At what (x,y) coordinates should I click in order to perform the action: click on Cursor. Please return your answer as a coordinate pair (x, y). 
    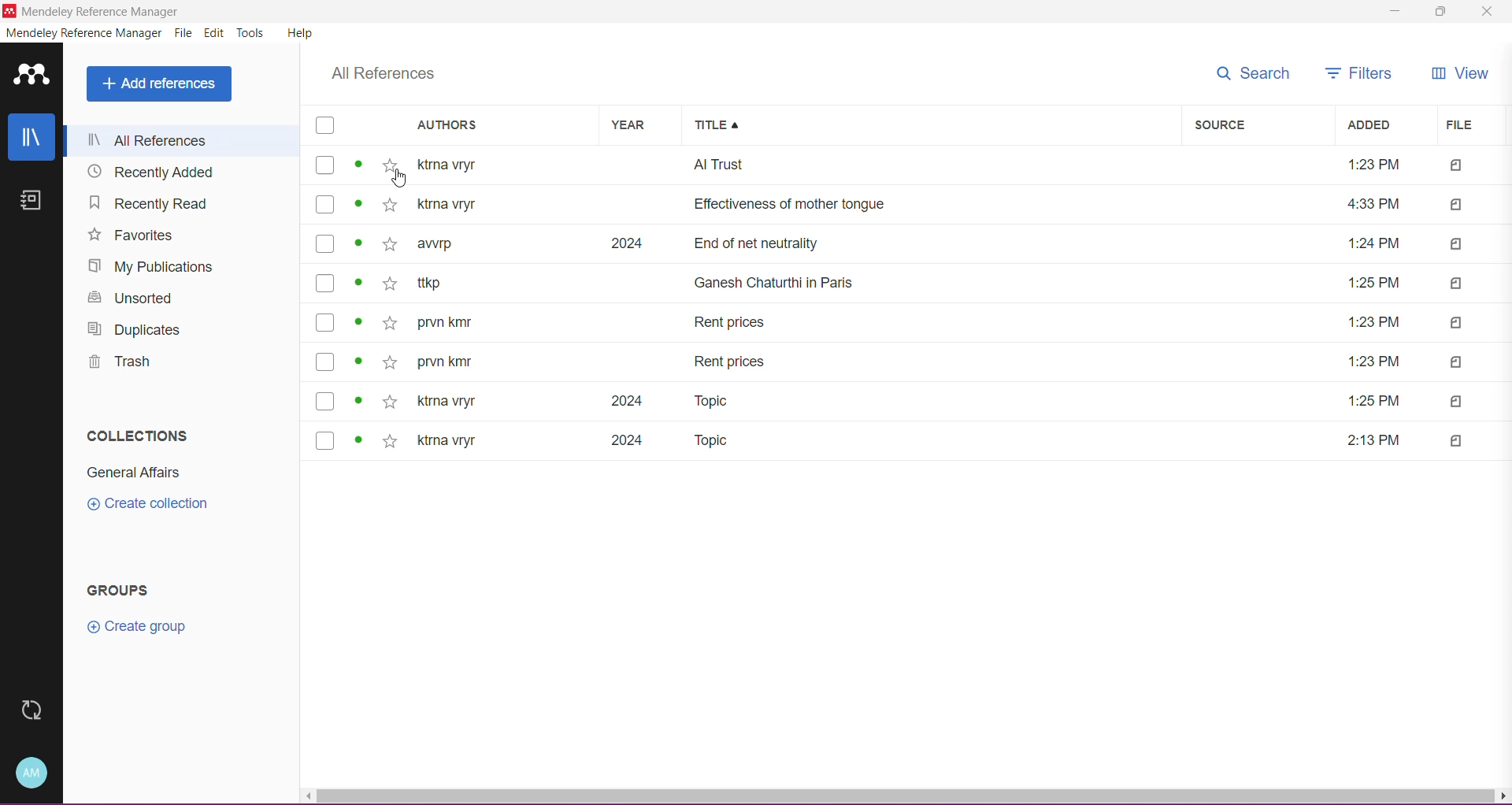
    Looking at the image, I should click on (398, 178).